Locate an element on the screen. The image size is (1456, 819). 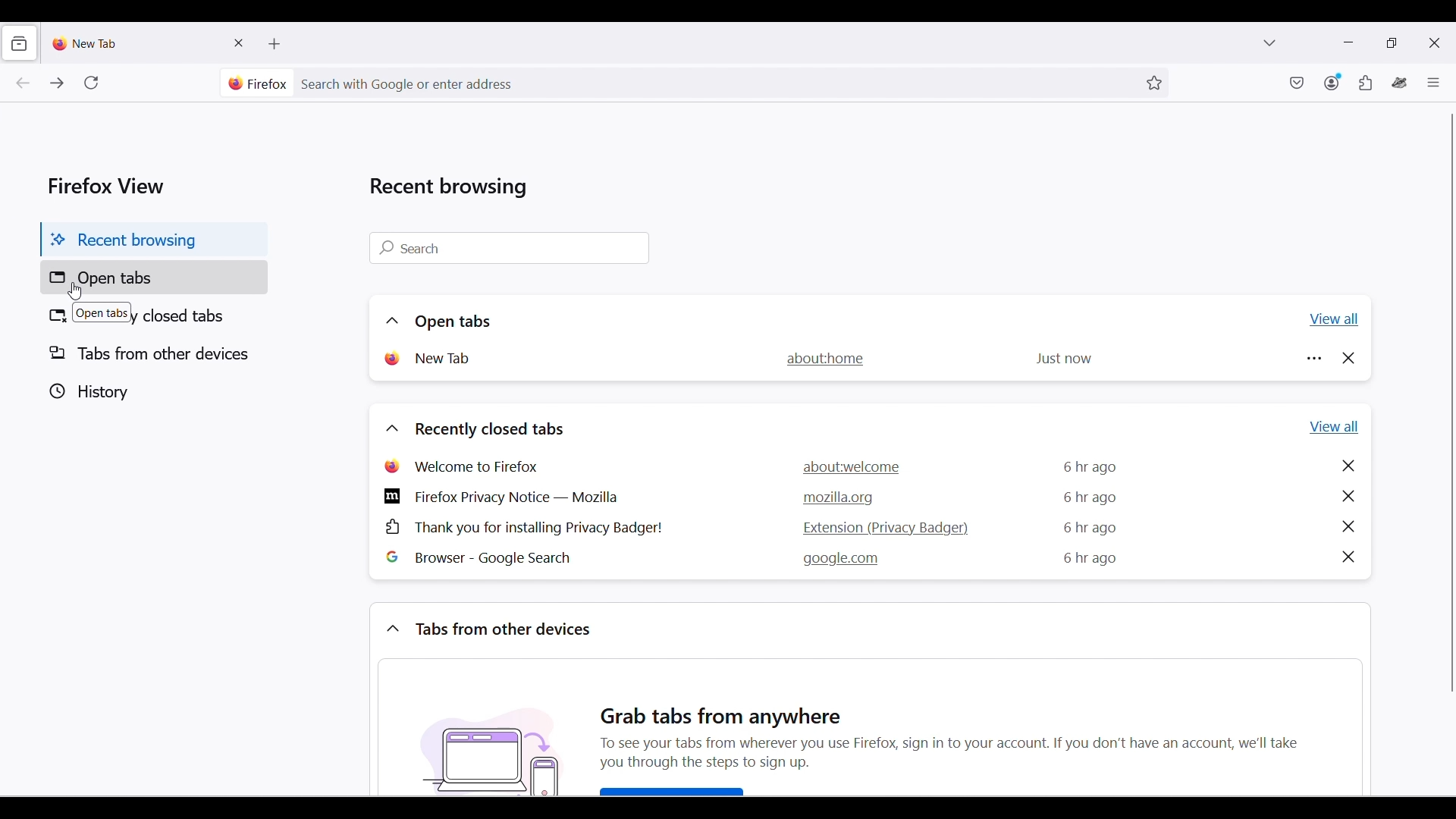
History is located at coordinates (151, 391).